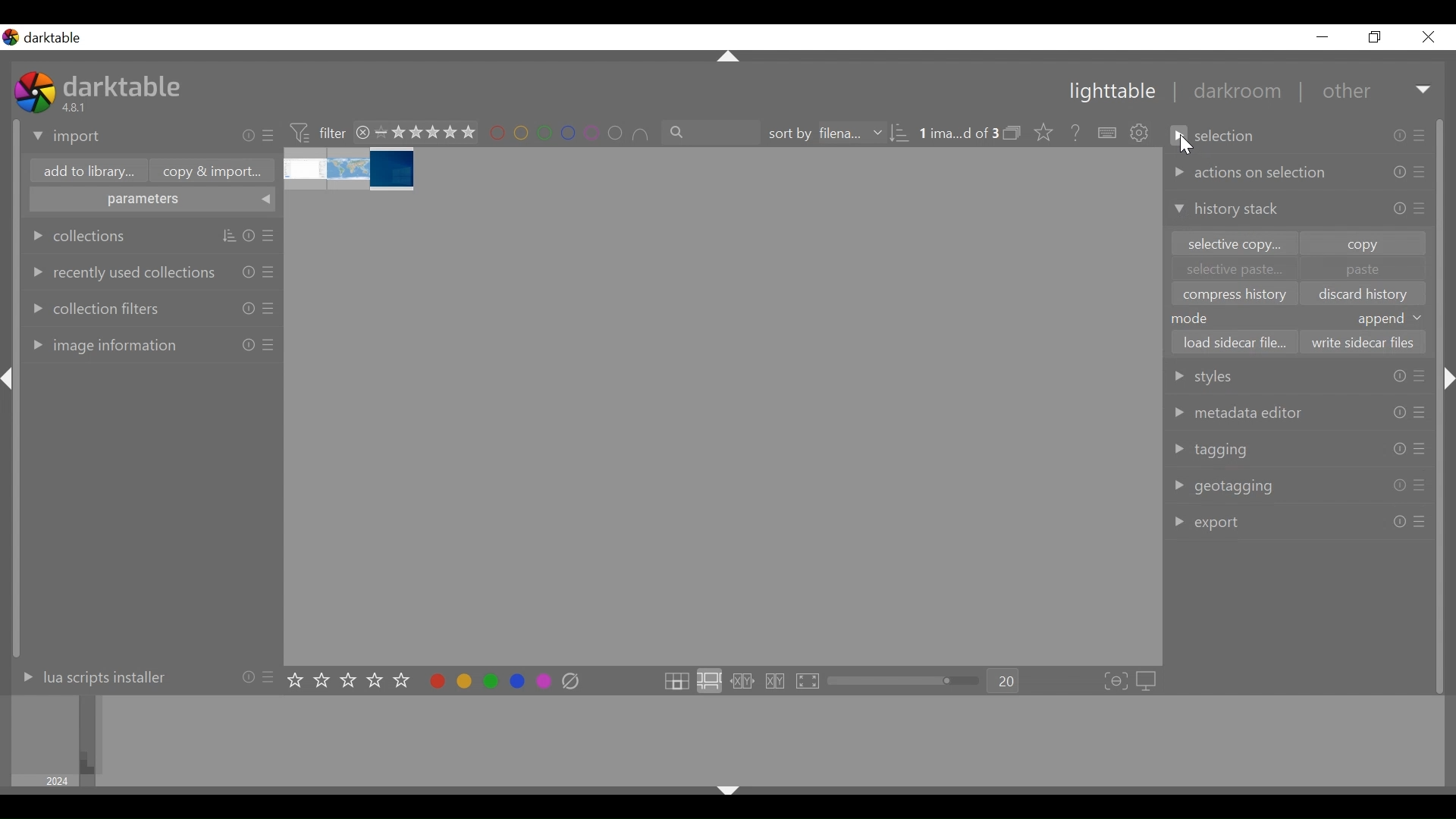 This screenshot has height=819, width=1456. Describe the element at coordinates (249, 344) in the screenshot. I see `info` at that location.